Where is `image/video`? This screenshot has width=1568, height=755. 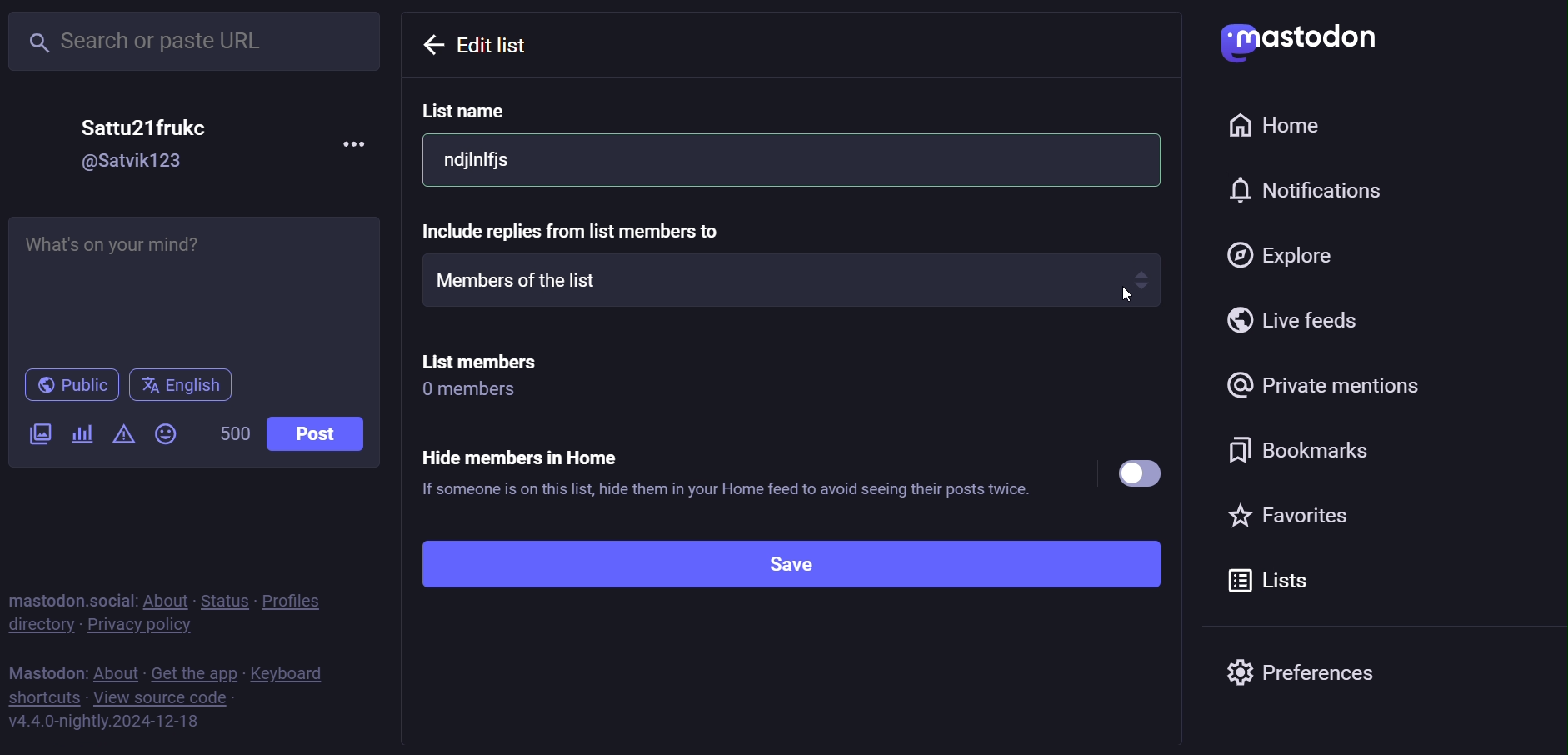 image/video is located at coordinates (34, 435).